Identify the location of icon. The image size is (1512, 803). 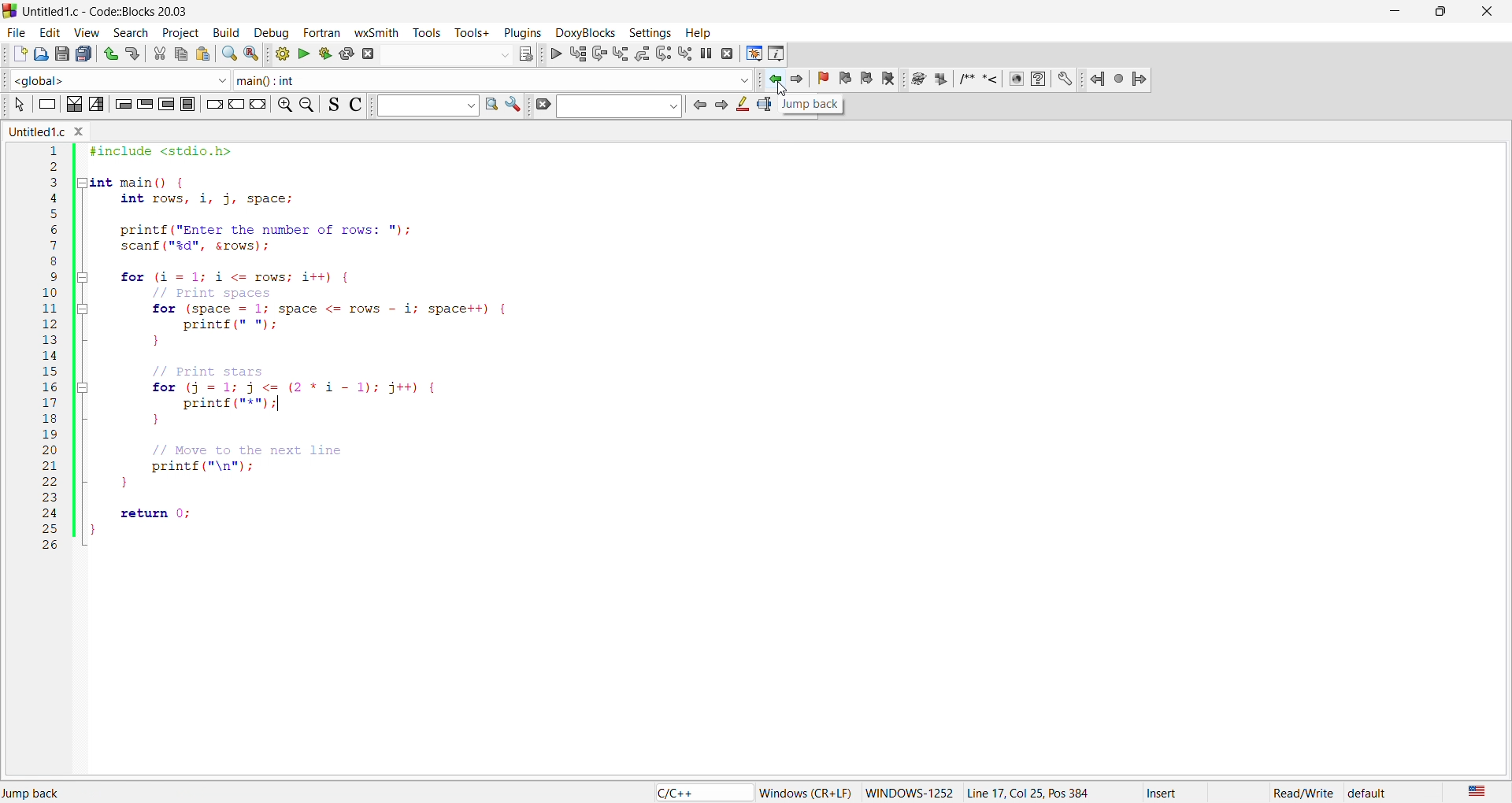
(765, 104).